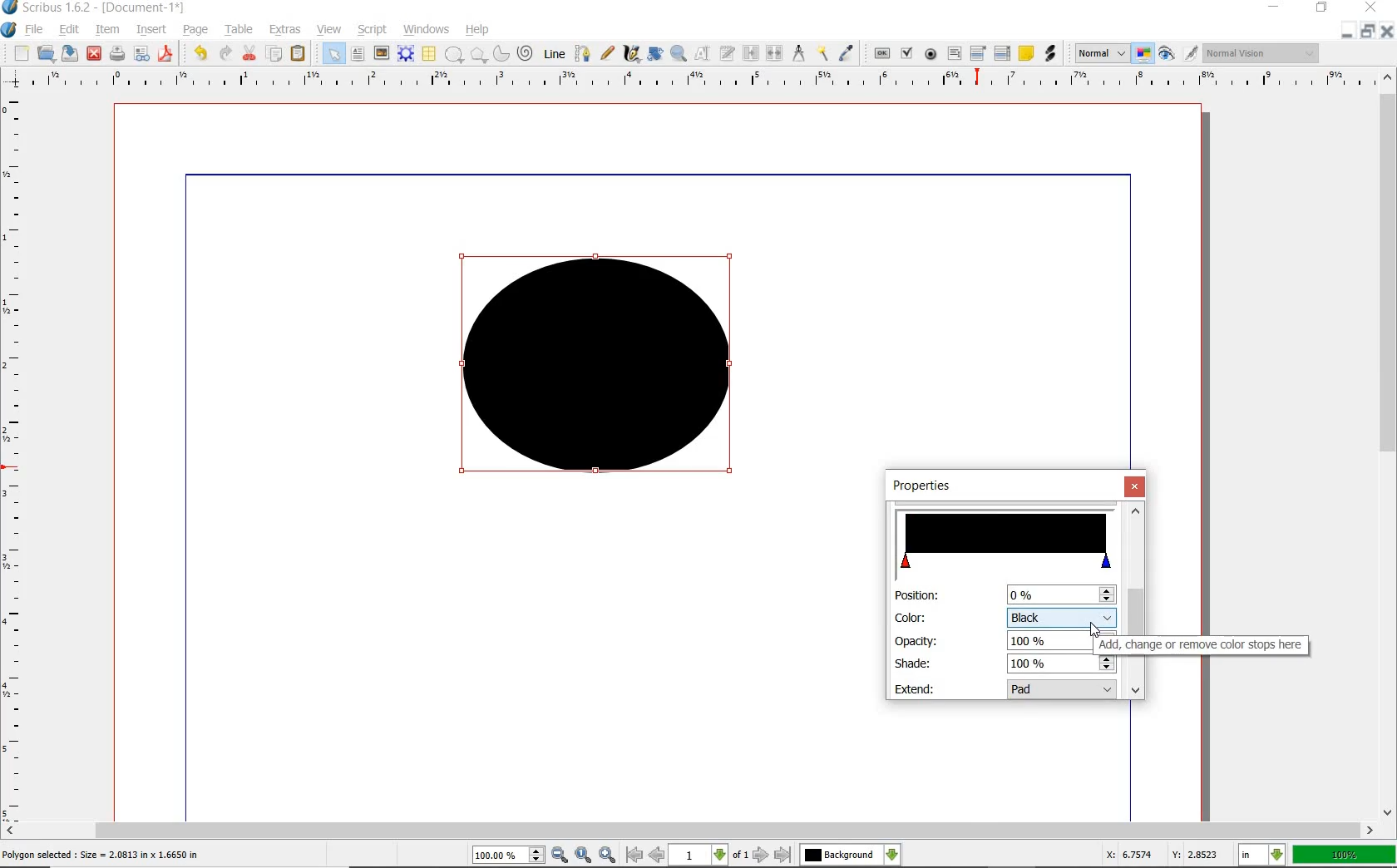 The image size is (1397, 868). Describe the element at coordinates (560, 856) in the screenshot. I see `zoom in` at that location.